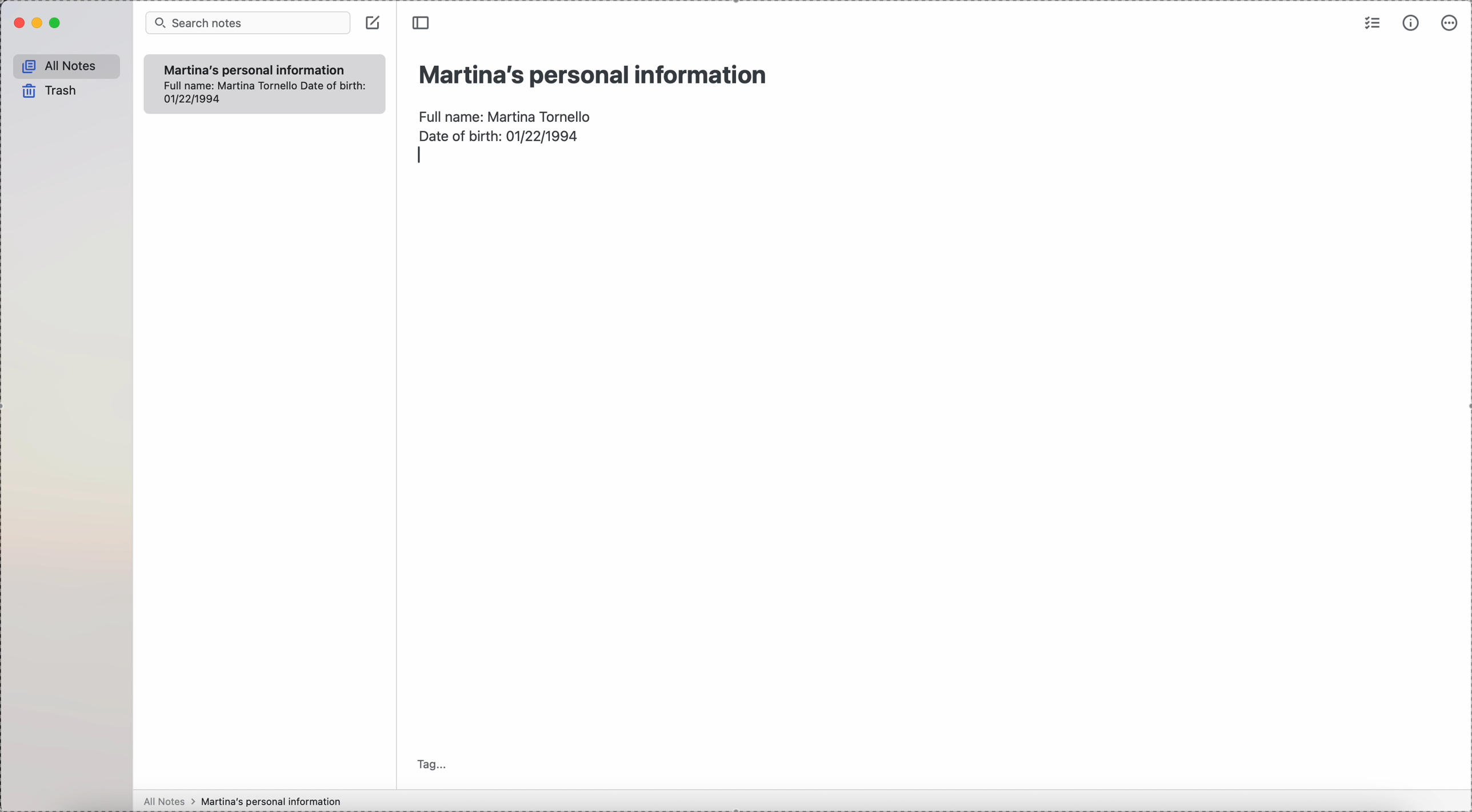 This screenshot has width=1472, height=812. Describe the element at coordinates (66, 66) in the screenshot. I see `all notes` at that location.